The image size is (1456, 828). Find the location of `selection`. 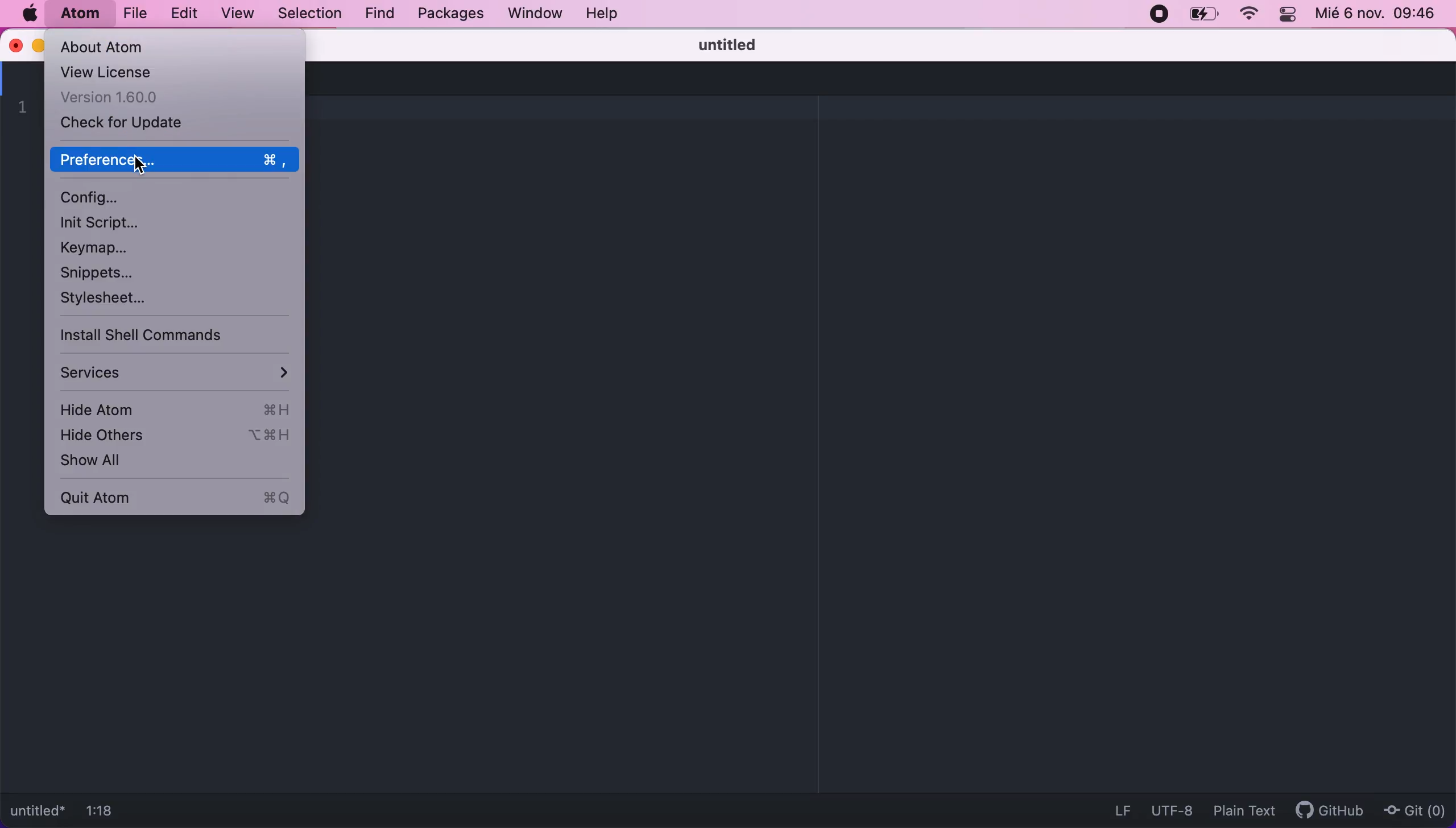

selection is located at coordinates (309, 14).